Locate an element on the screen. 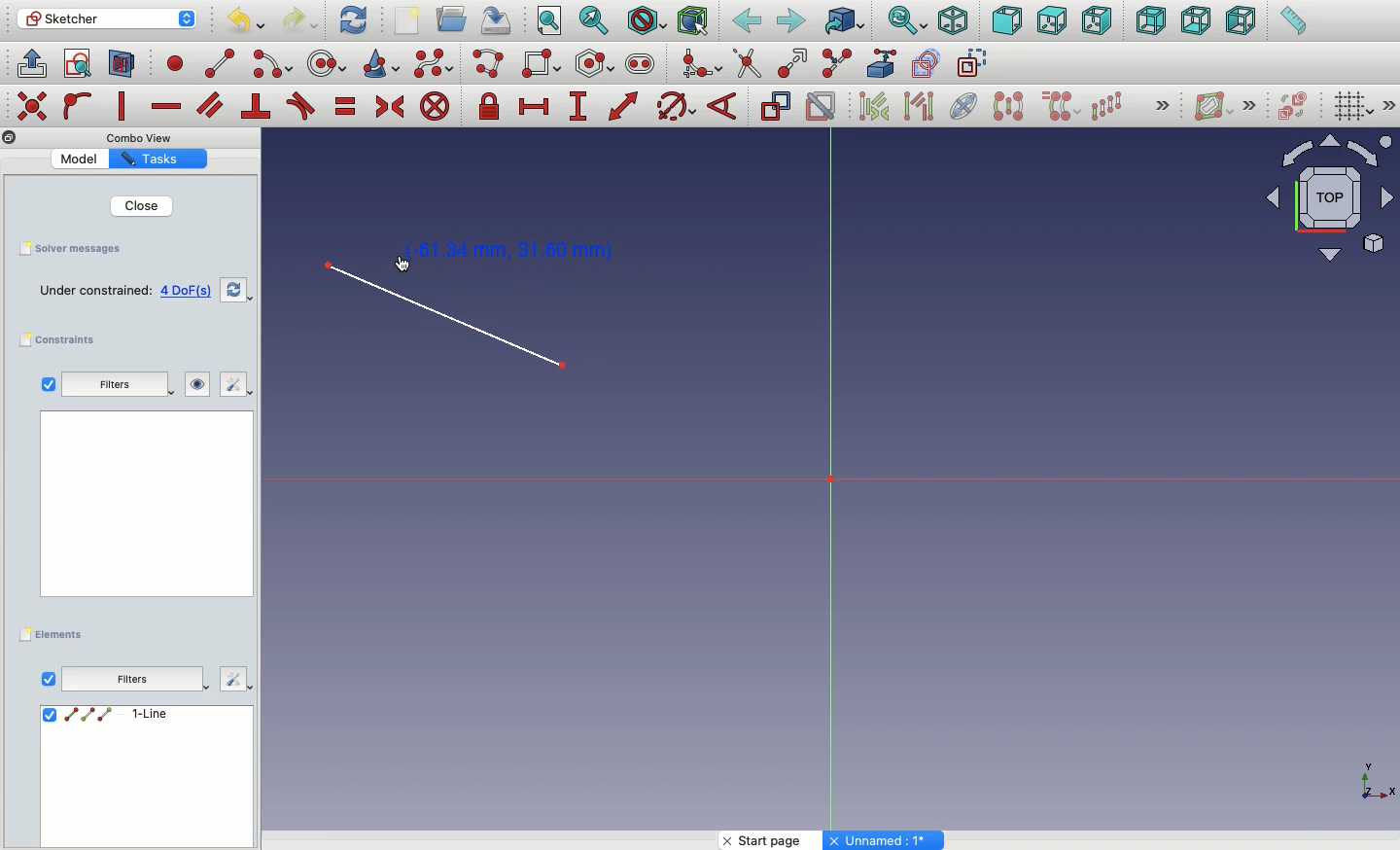   is located at coordinates (1254, 104).